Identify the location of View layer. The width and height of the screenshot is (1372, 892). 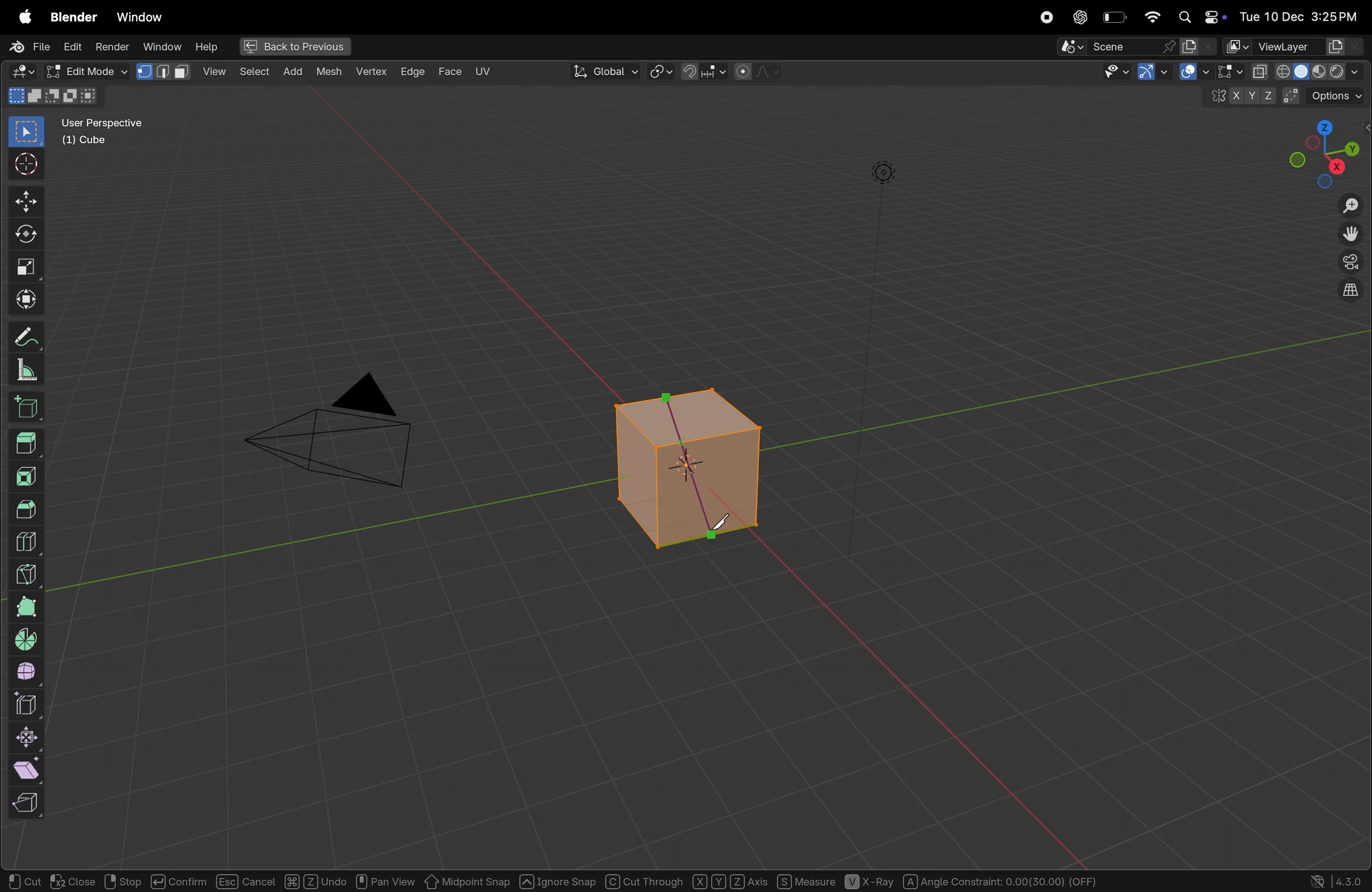
(1294, 46).